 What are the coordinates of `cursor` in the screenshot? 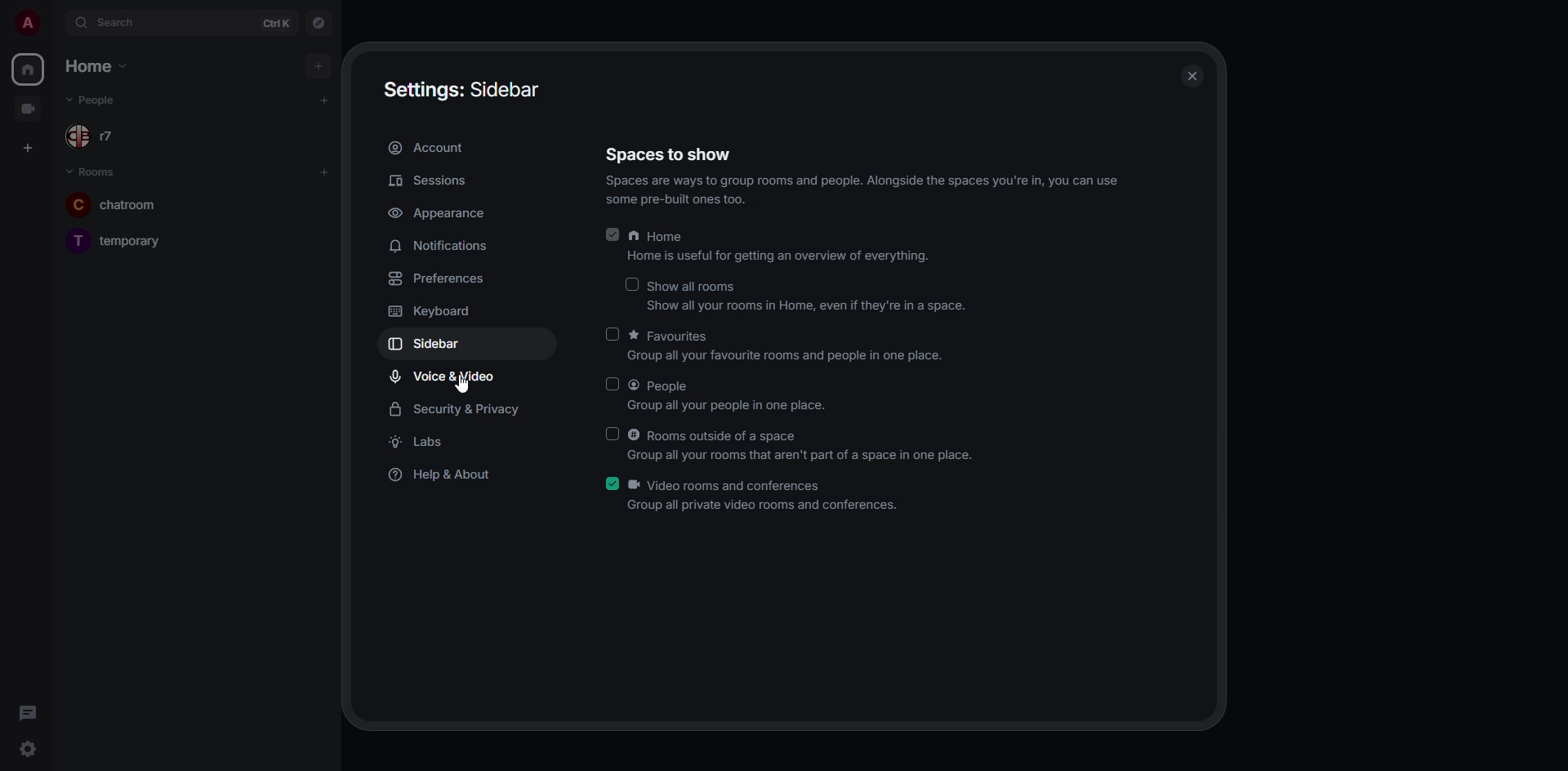 It's located at (467, 385).